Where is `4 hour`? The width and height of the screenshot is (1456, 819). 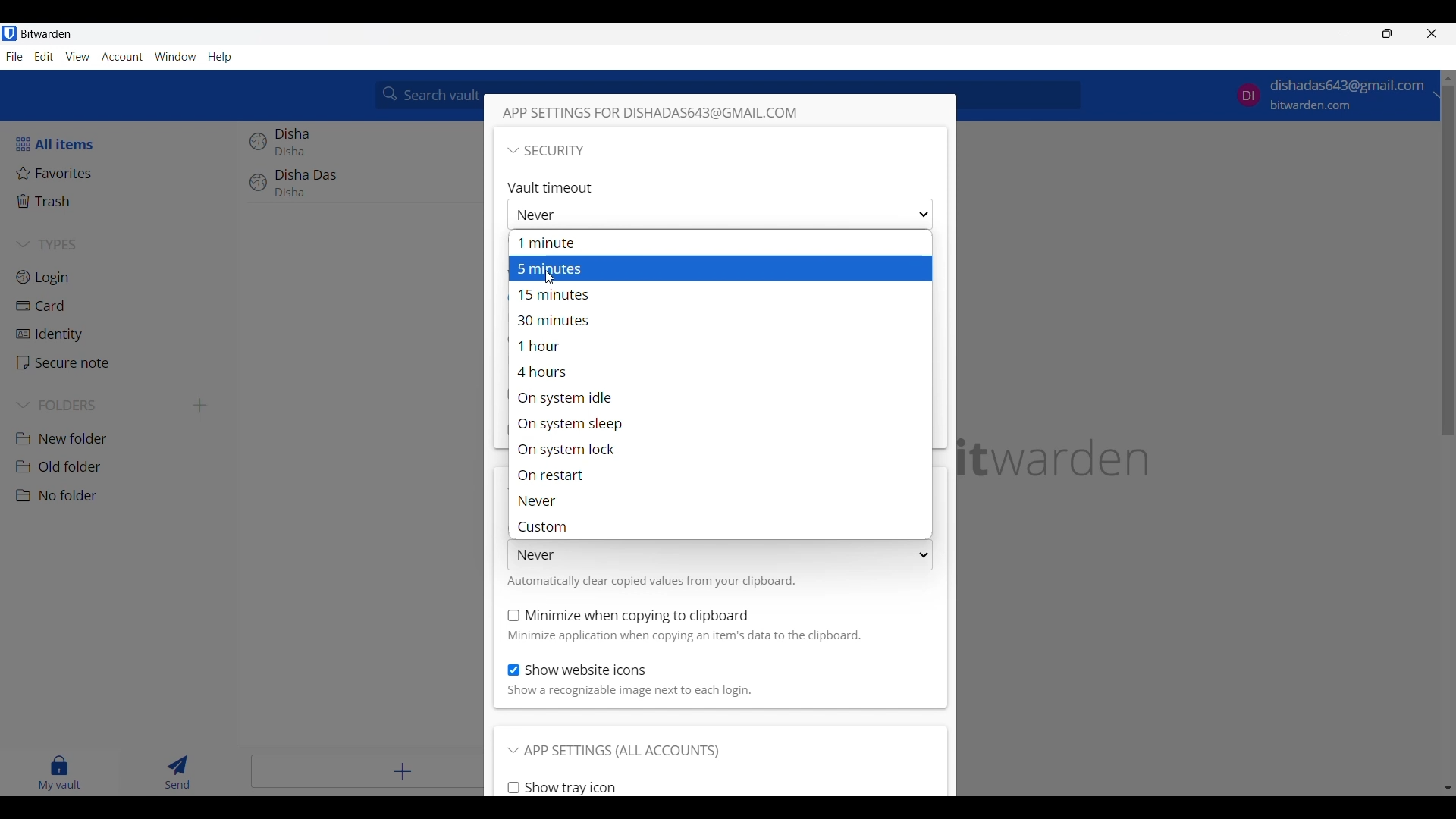 4 hour is located at coordinates (720, 372).